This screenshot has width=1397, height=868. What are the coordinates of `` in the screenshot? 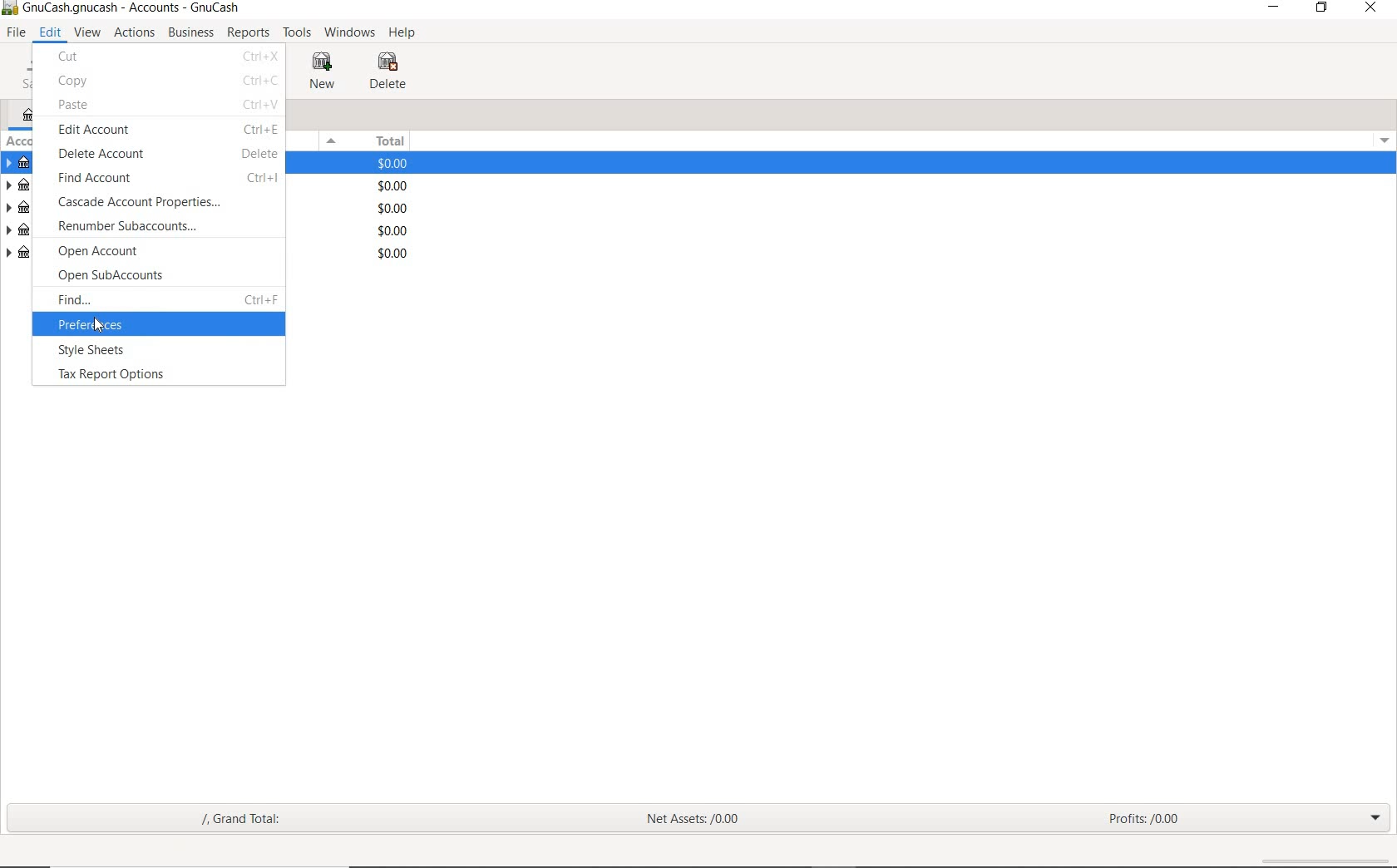 It's located at (259, 81).